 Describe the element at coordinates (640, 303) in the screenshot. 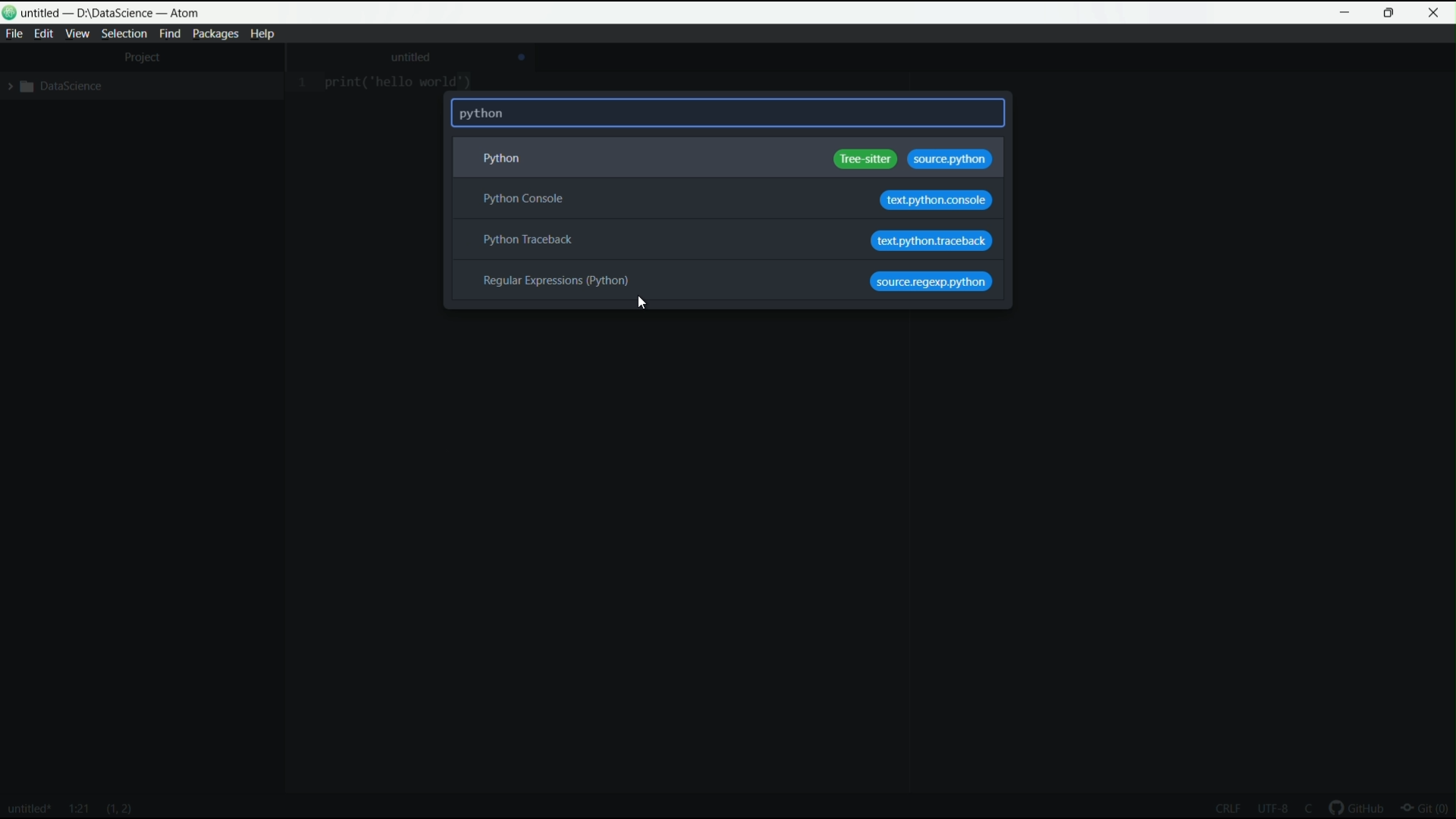

I see `cursor` at that location.